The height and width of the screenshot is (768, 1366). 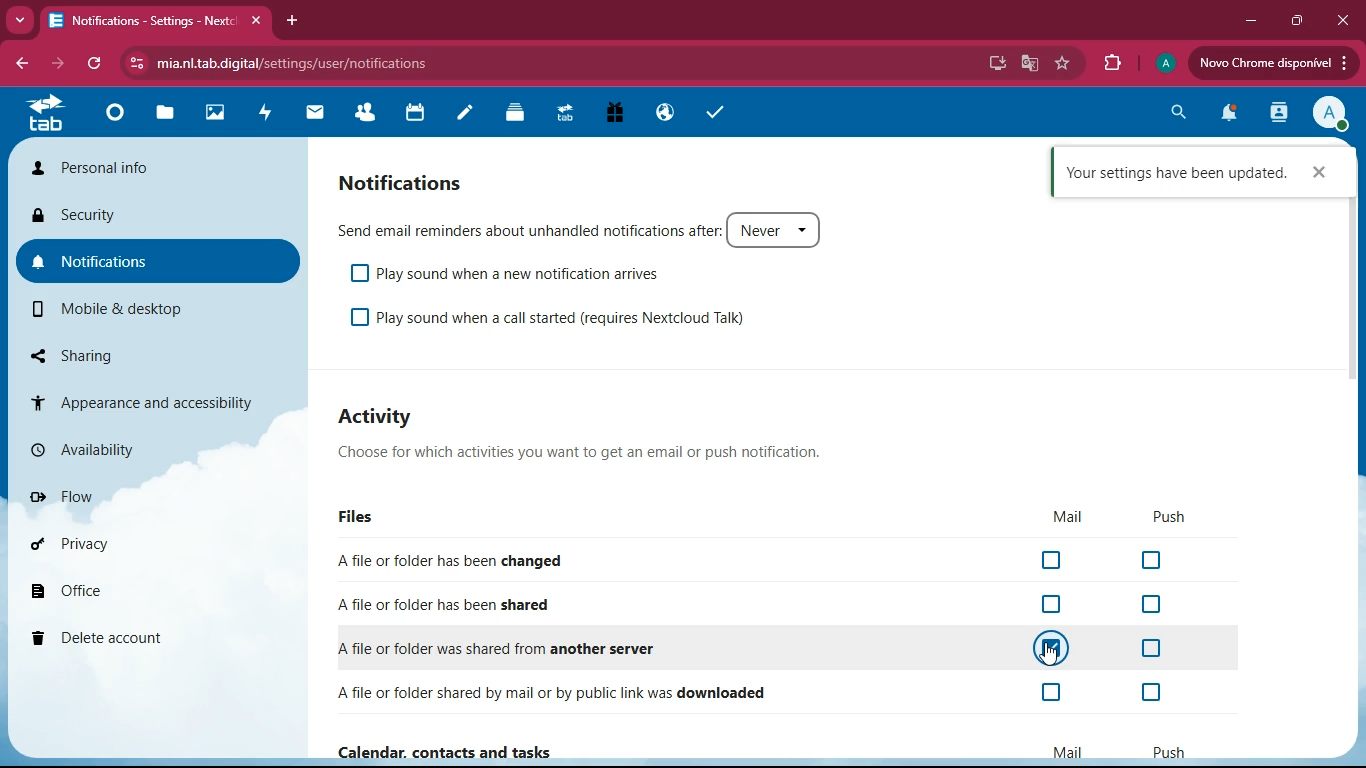 I want to click on search, so click(x=1177, y=112).